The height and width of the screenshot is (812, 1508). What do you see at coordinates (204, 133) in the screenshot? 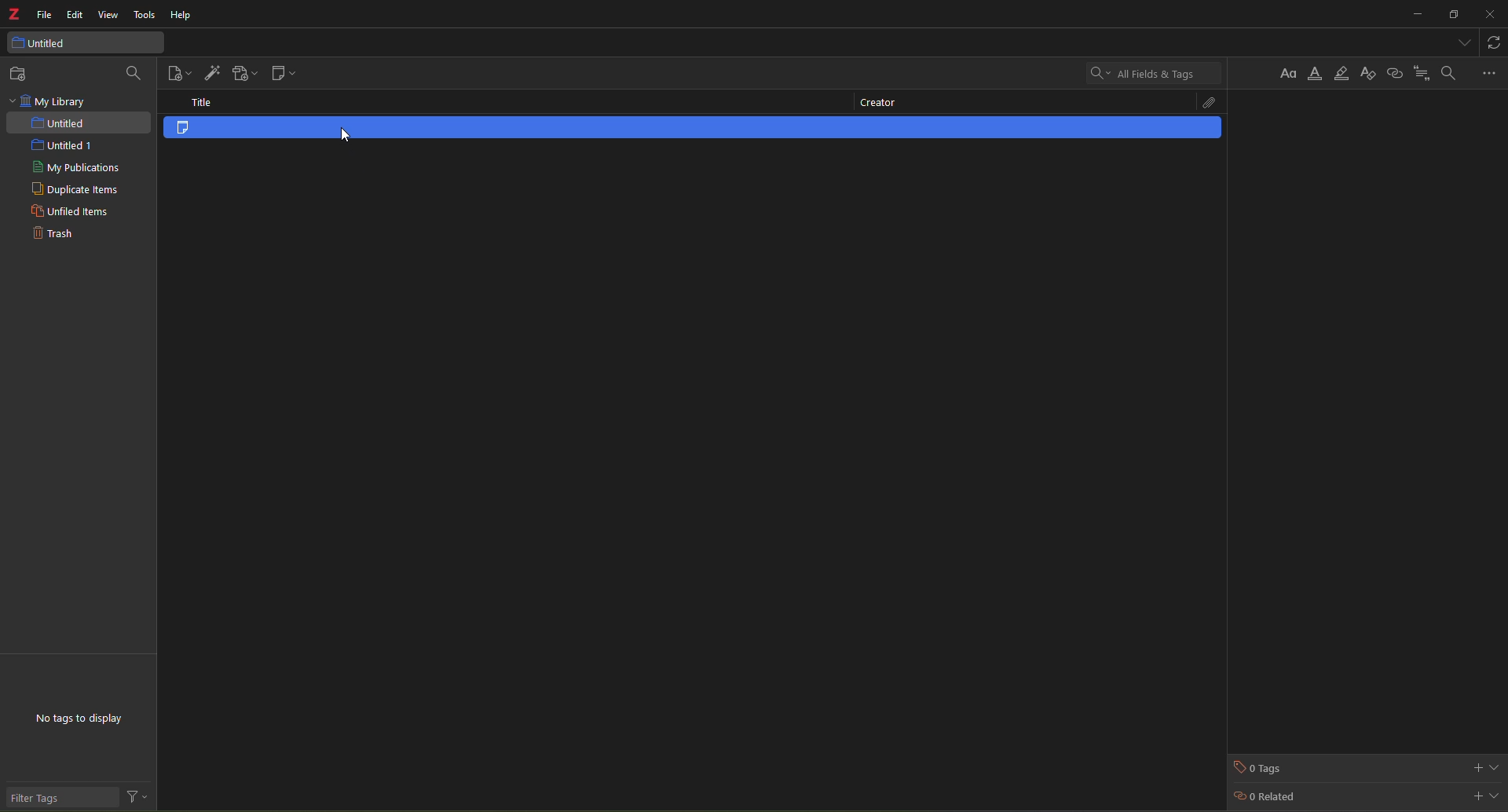
I see `item` at bounding box center [204, 133].